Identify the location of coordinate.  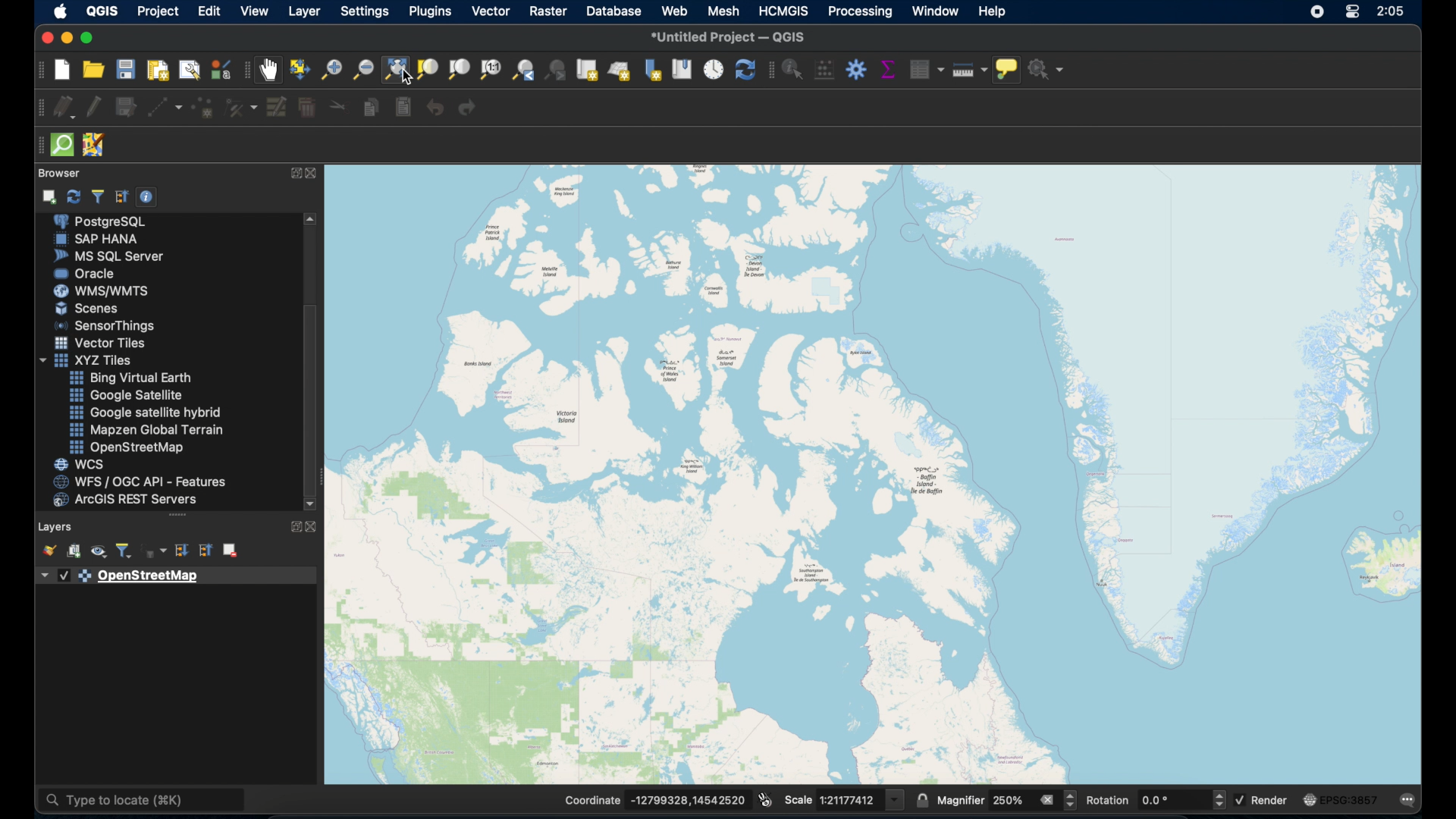
(593, 800).